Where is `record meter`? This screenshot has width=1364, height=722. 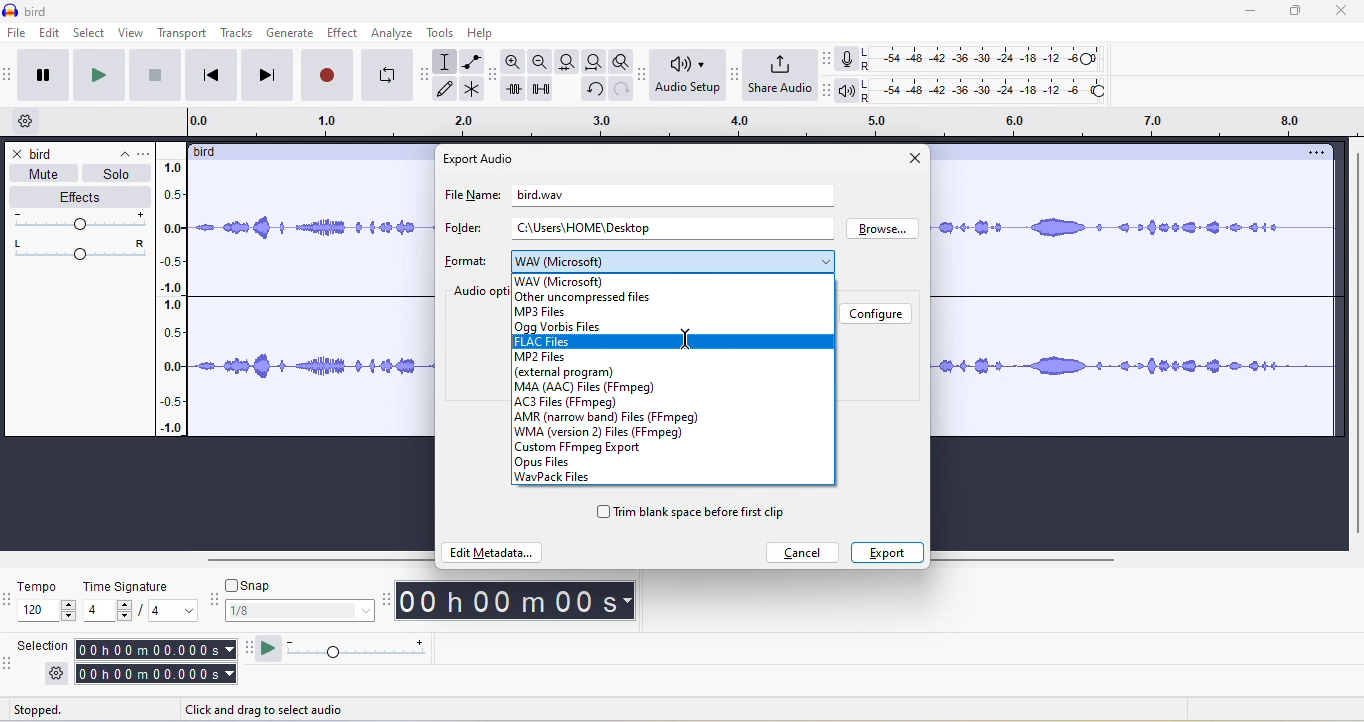
record meter is located at coordinates (847, 59).